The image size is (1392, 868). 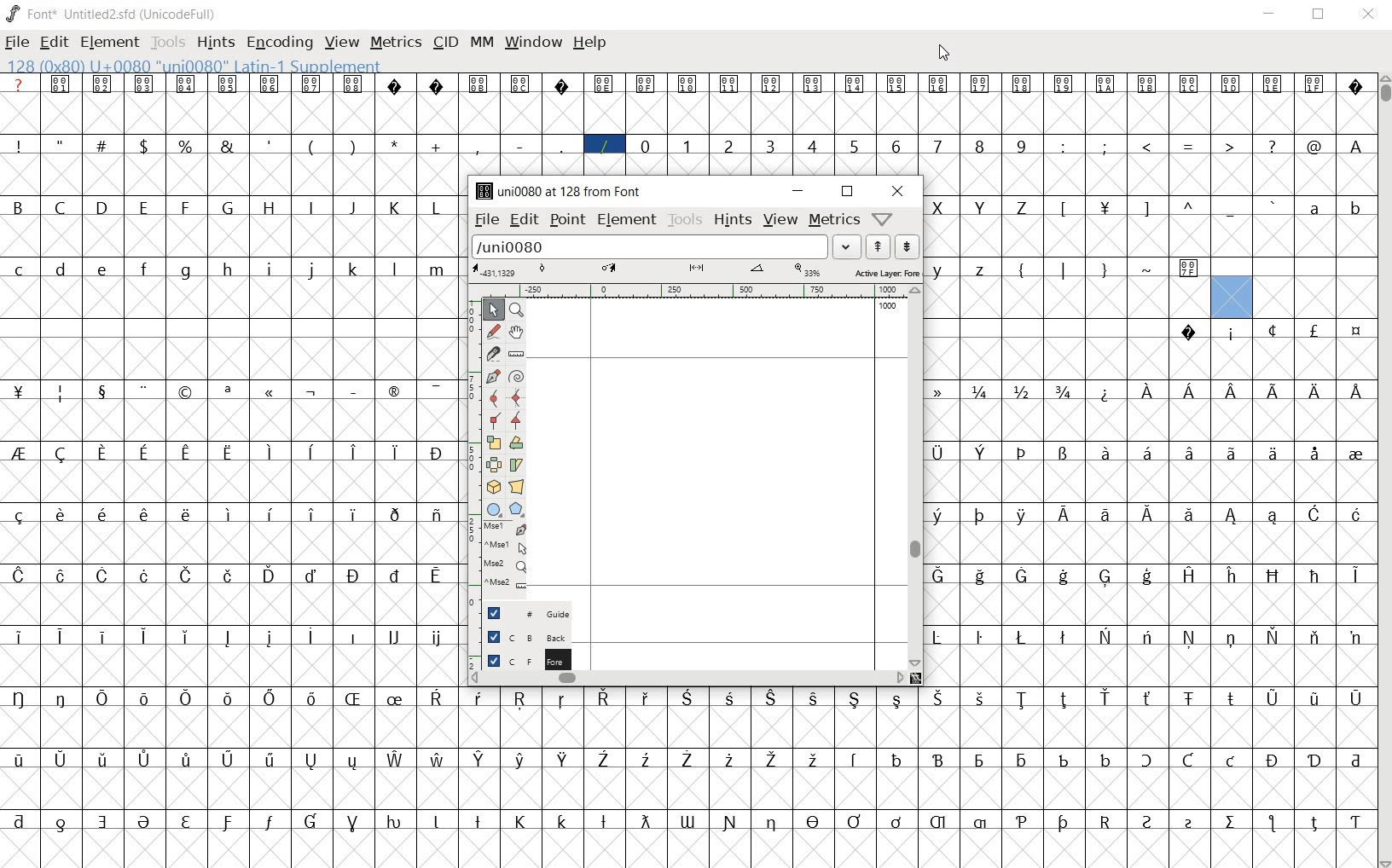 What do you see at coordinates (1232, 84) in the screenshot?
I see `glyph` at bounding box center [1232, 84].